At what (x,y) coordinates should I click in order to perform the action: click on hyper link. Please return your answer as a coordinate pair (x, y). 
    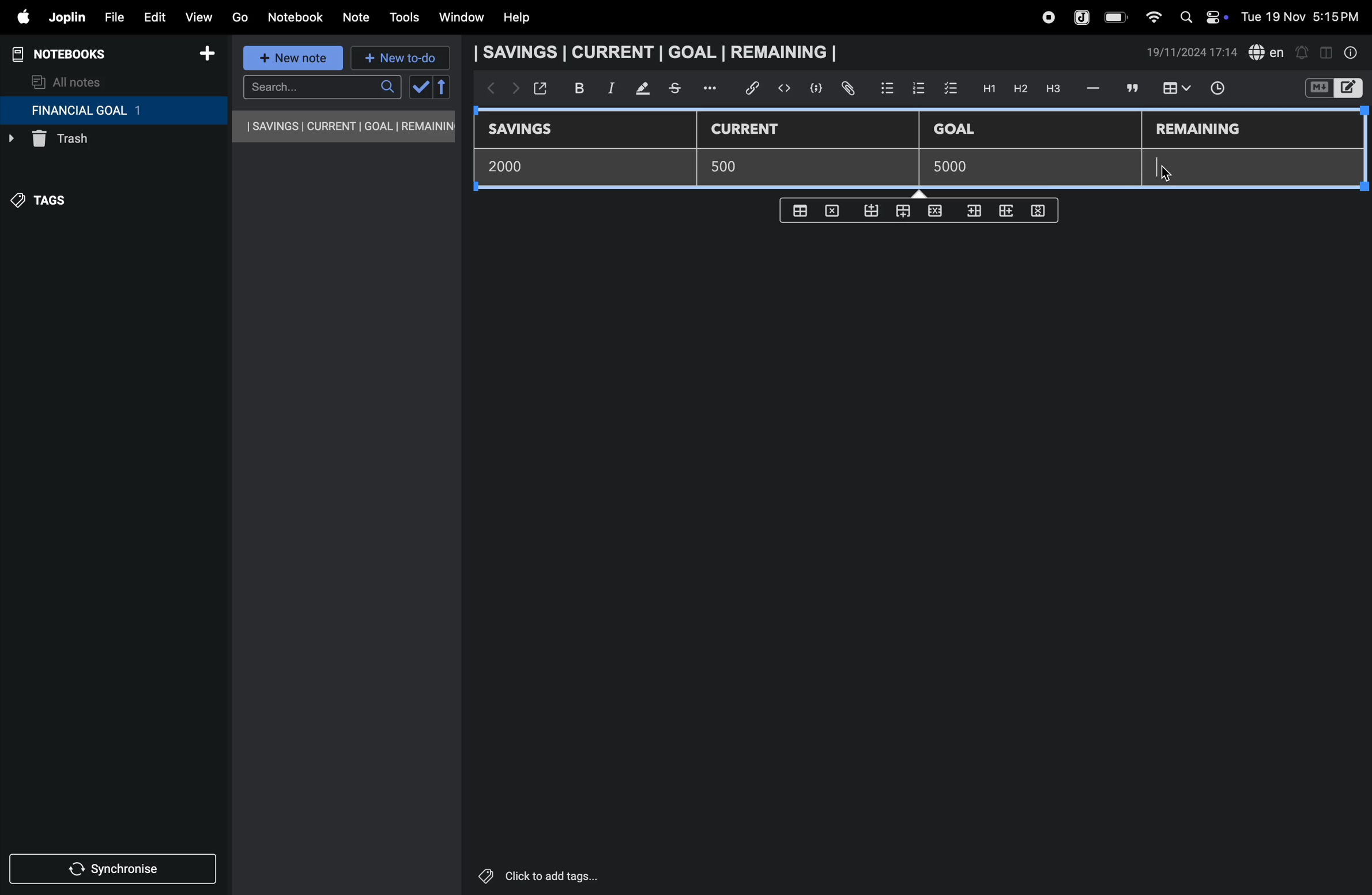
    Looking at the image, I should click on (756, 88).